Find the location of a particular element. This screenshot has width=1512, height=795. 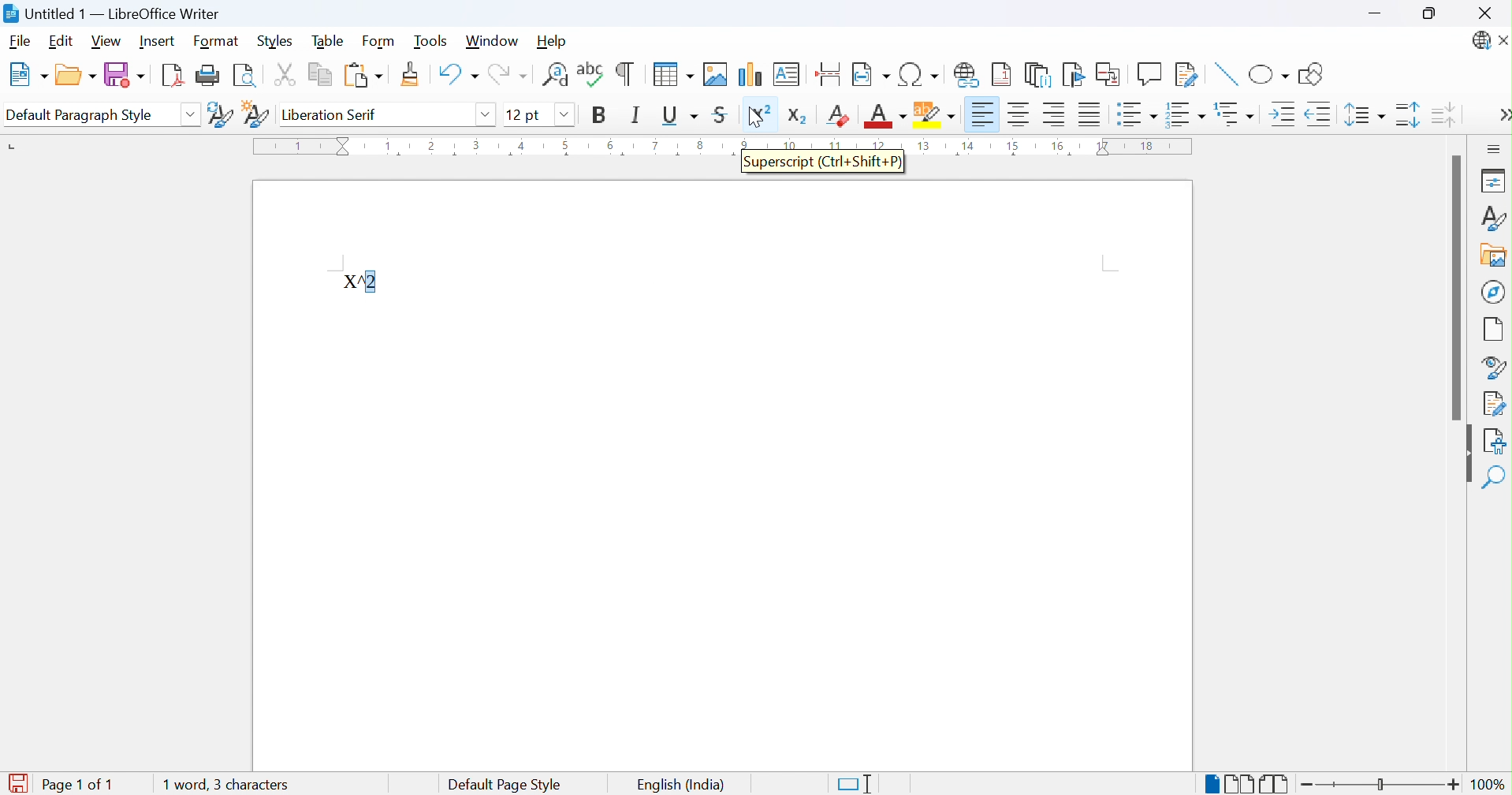

Copy is located at coordinates (319, 76).